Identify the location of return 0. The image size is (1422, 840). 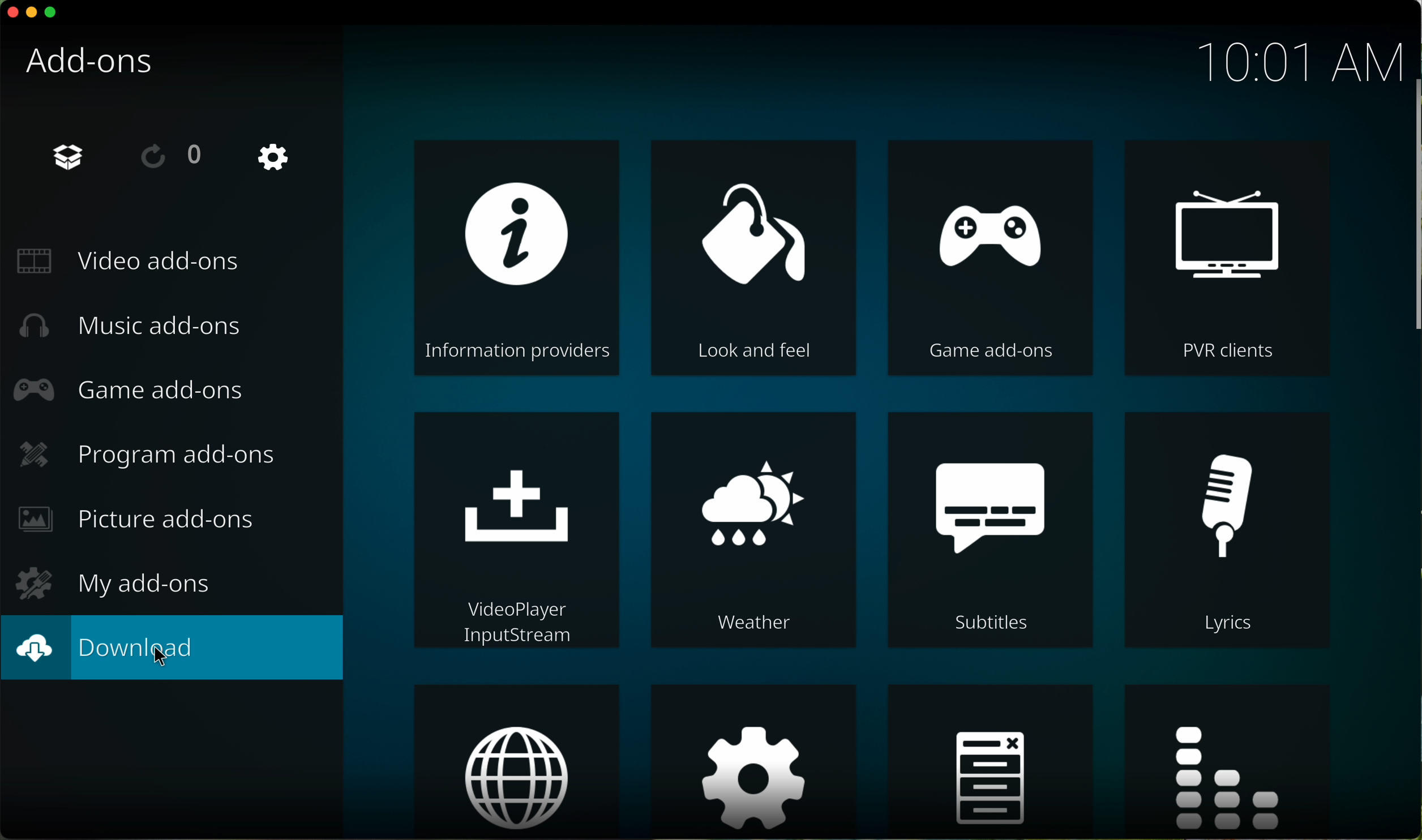
(175, 156).